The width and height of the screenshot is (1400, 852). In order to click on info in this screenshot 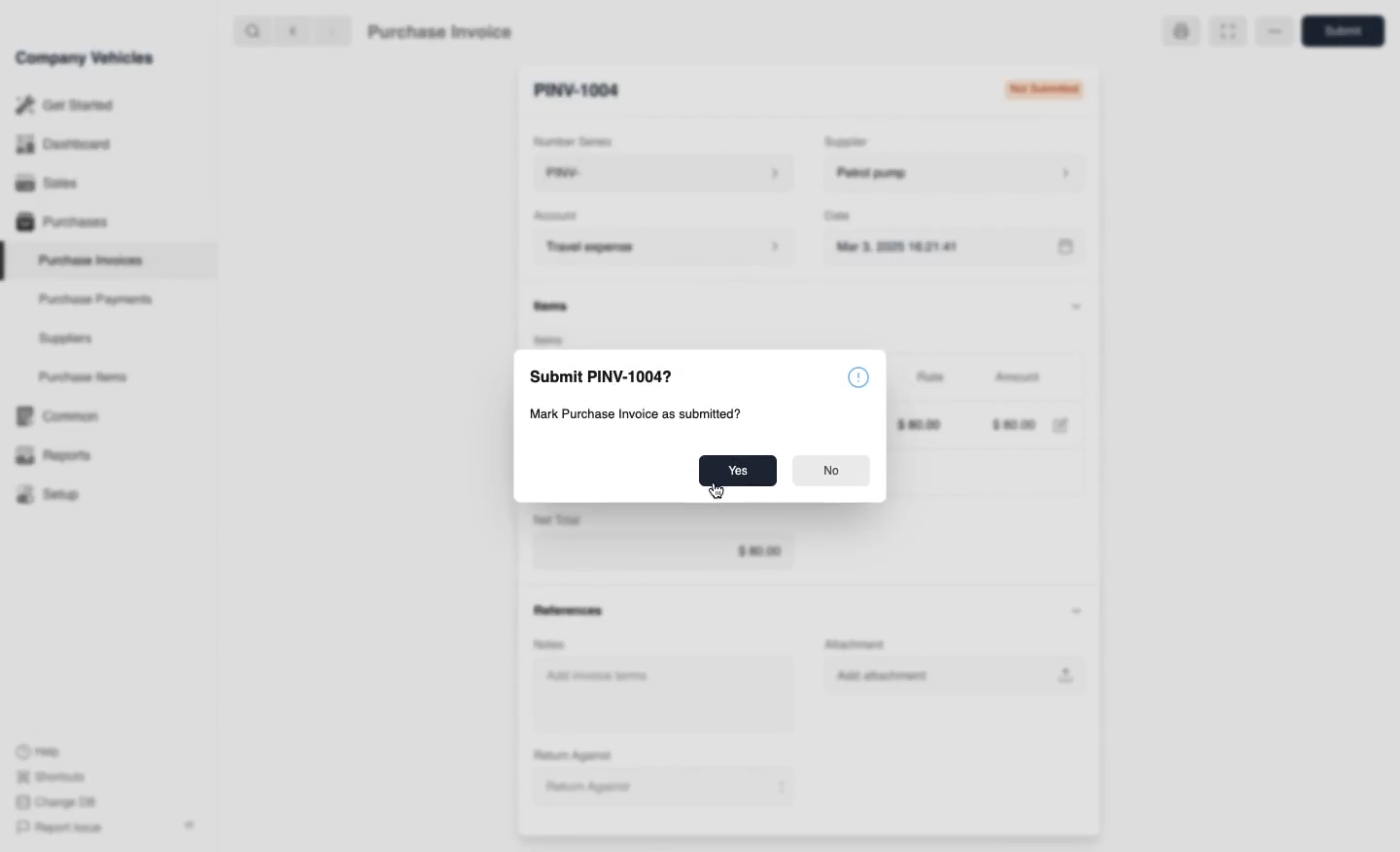, I will do `click(857, 376)`.